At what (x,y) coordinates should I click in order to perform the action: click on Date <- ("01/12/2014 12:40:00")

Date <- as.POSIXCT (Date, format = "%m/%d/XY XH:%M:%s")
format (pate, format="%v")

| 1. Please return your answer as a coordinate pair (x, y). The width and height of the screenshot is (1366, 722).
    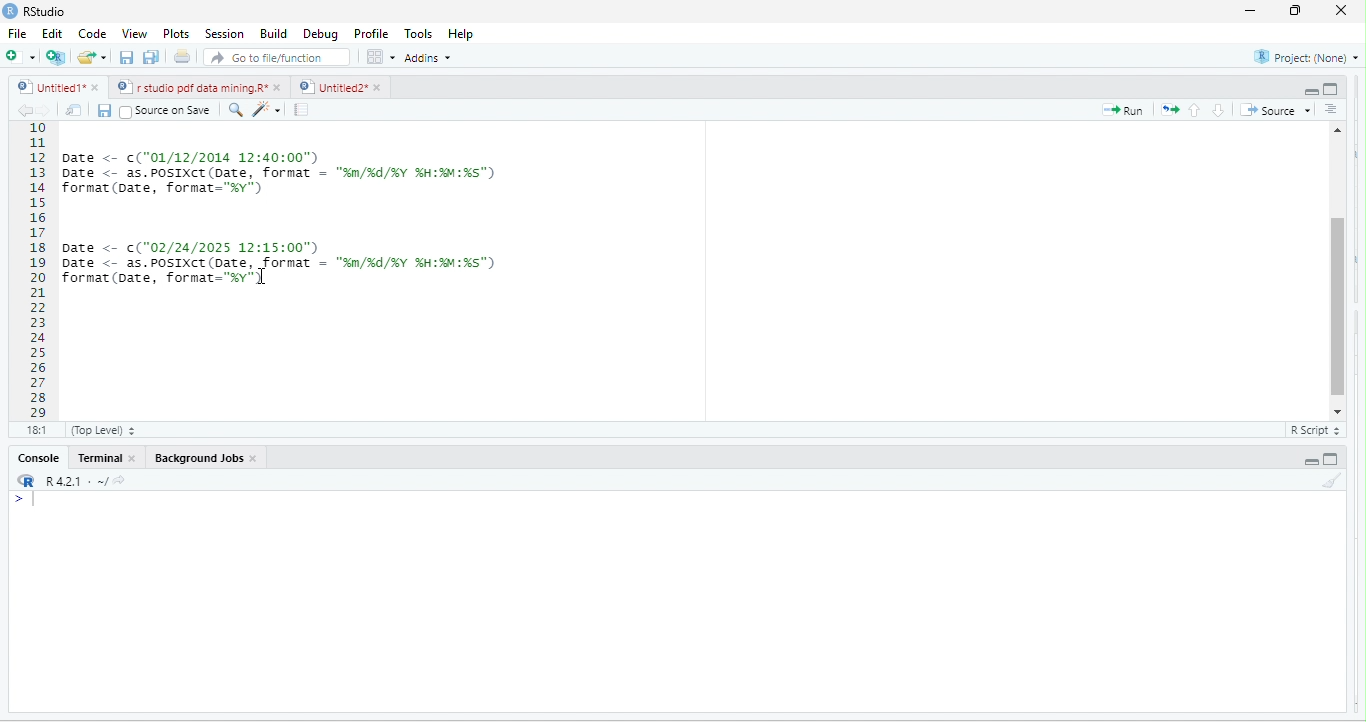
    Looking at the image, I should click on (399, 171).